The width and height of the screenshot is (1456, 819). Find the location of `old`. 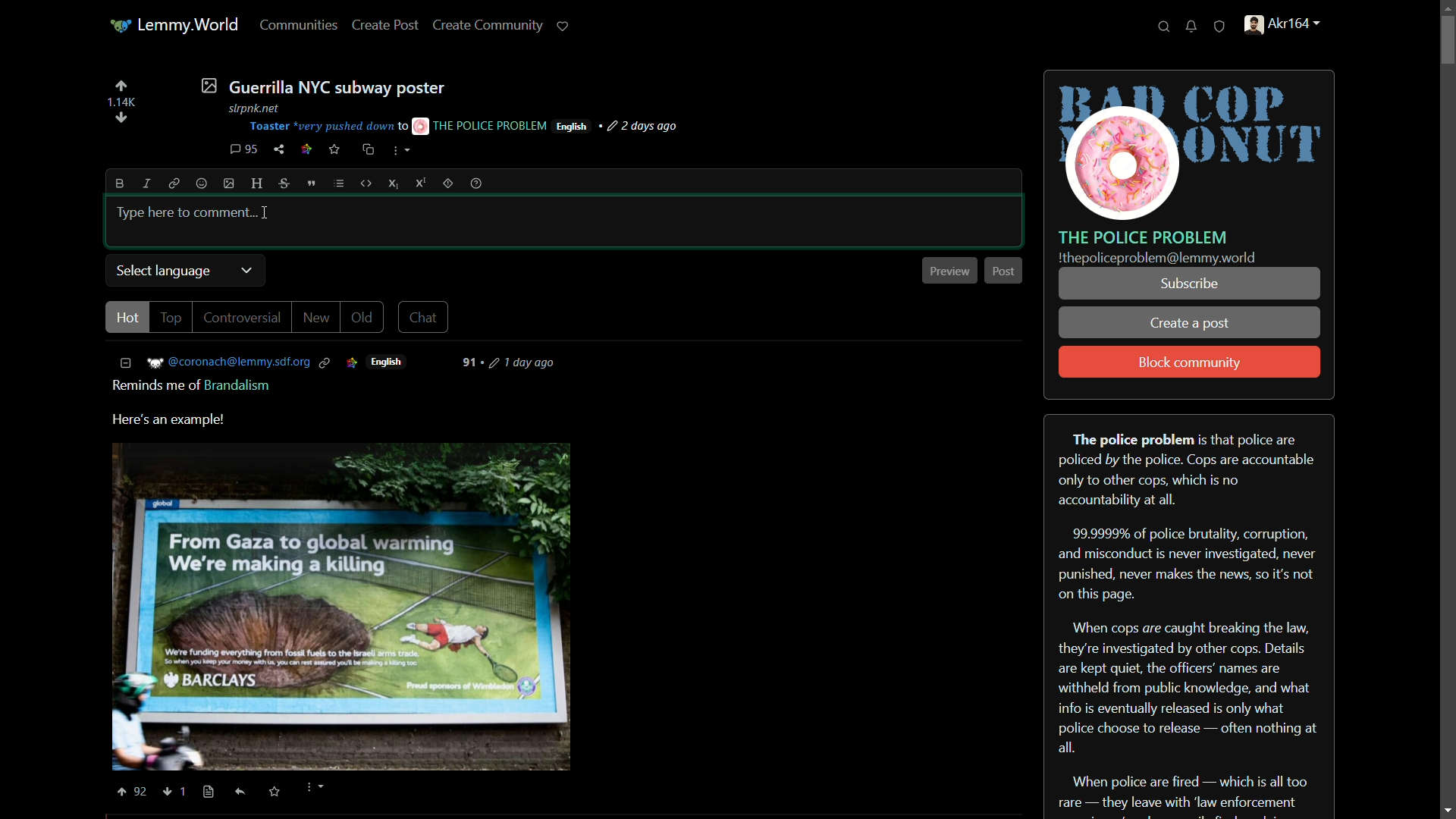

old is located at coordinates (361, 318).